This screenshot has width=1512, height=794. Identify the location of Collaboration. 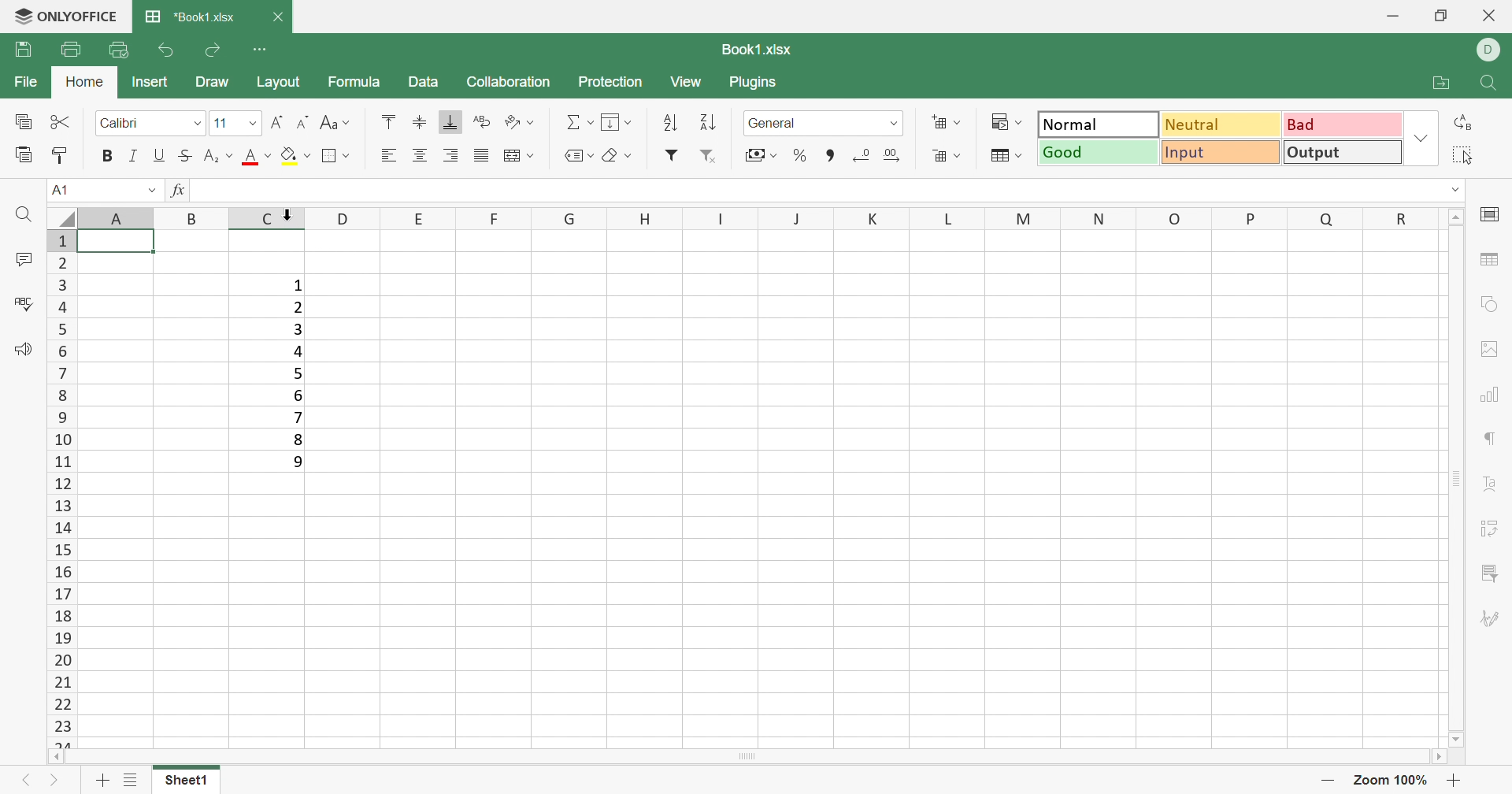
(511, 83).